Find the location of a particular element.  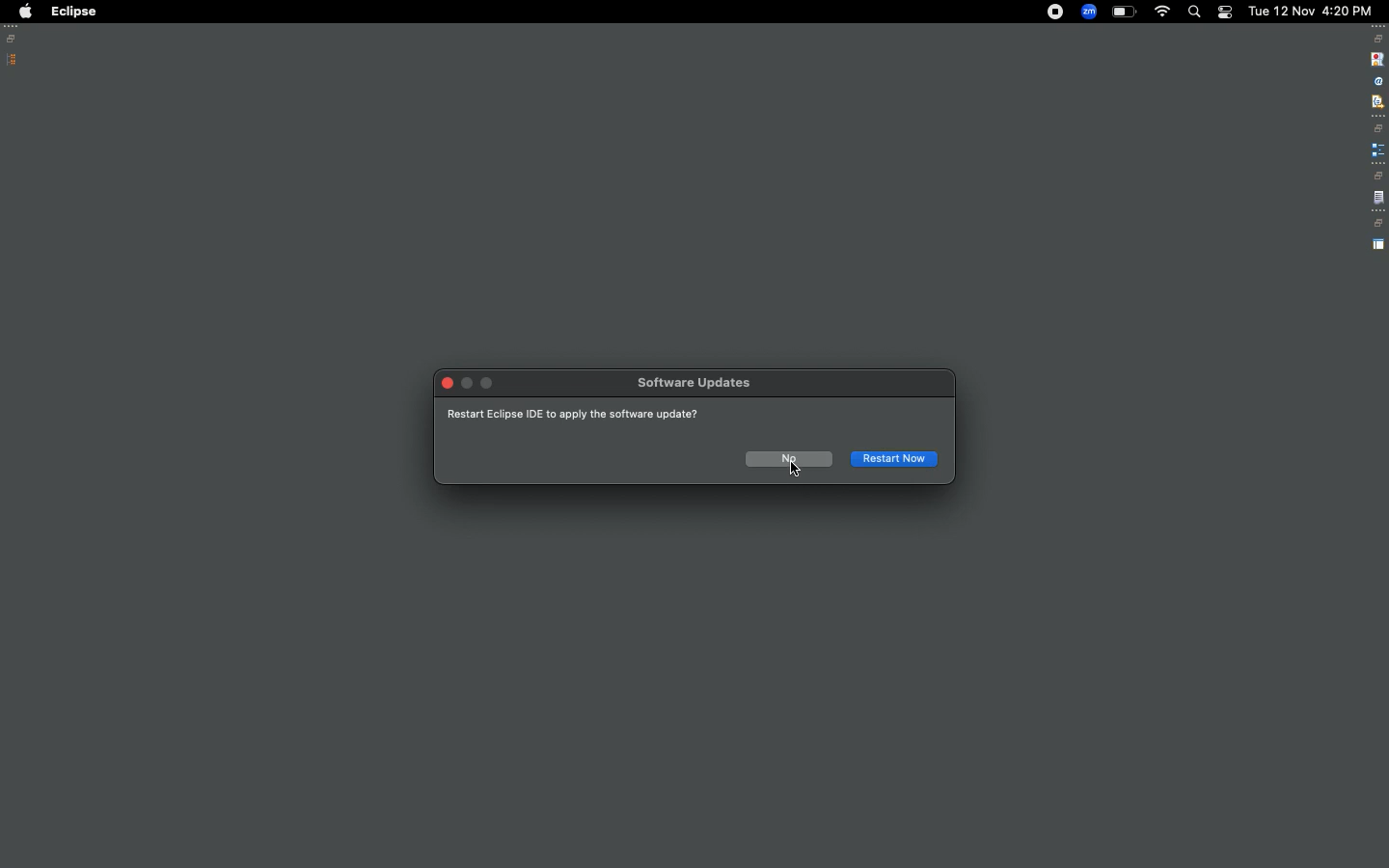

file is located at coordinates (1378, 199).